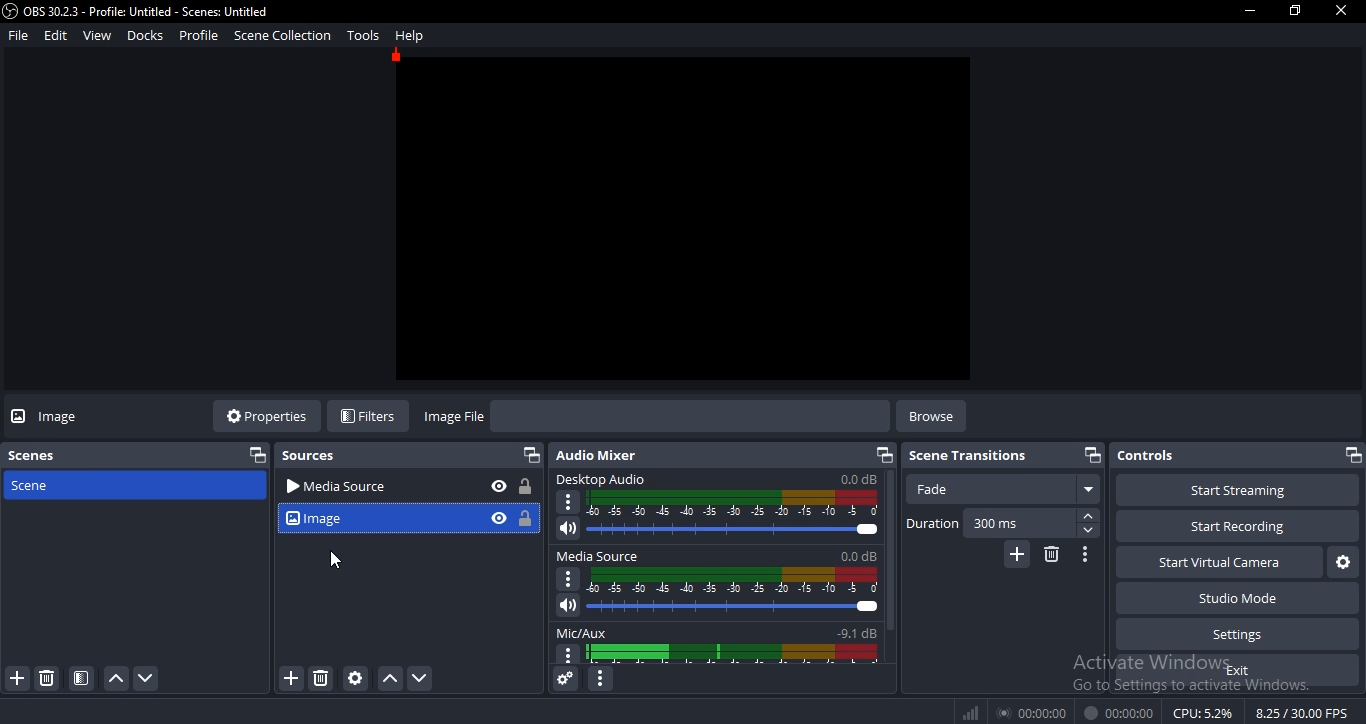  Describe the element at coordinates (270, 417) in the screenshot. I see `properties` at that location.